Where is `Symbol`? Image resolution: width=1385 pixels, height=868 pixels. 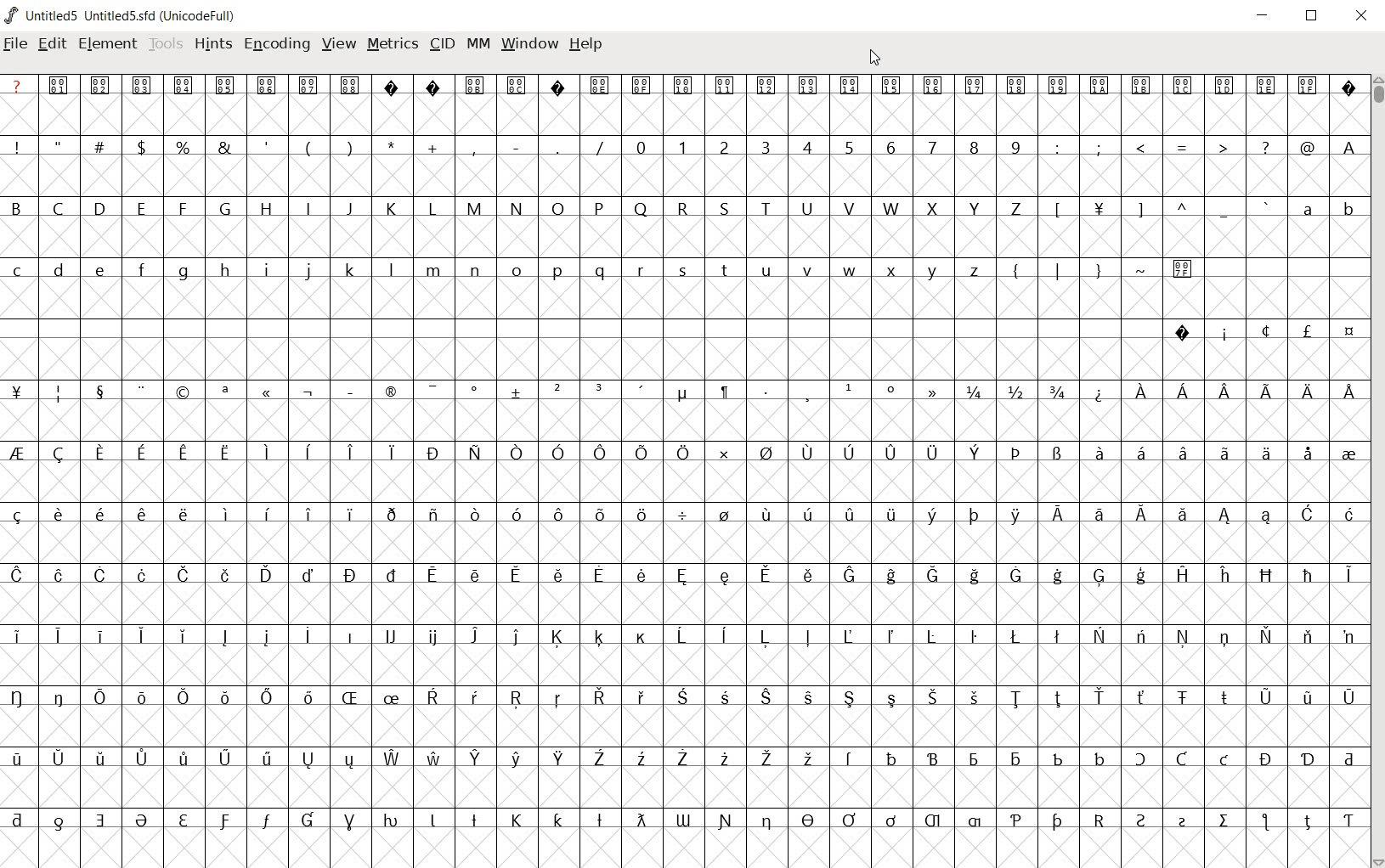 Symbol is located at coordinates (766, 699).